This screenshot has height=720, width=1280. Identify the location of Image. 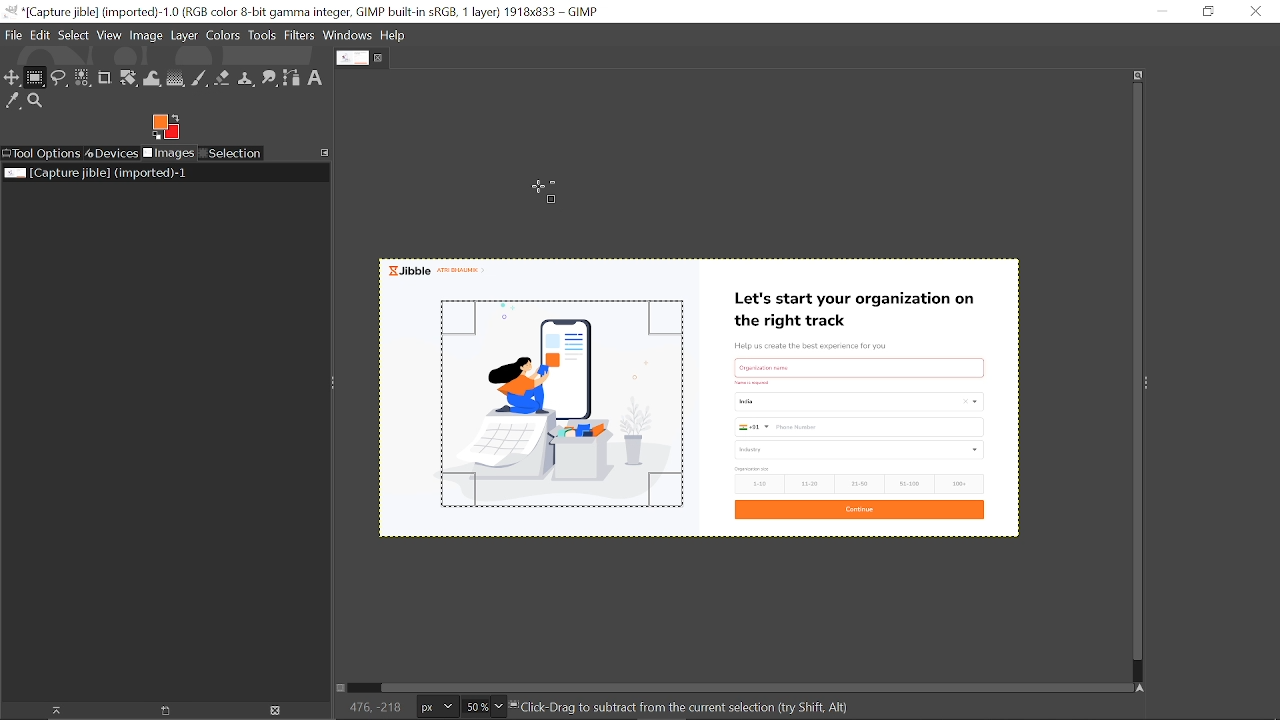
(146, 37).